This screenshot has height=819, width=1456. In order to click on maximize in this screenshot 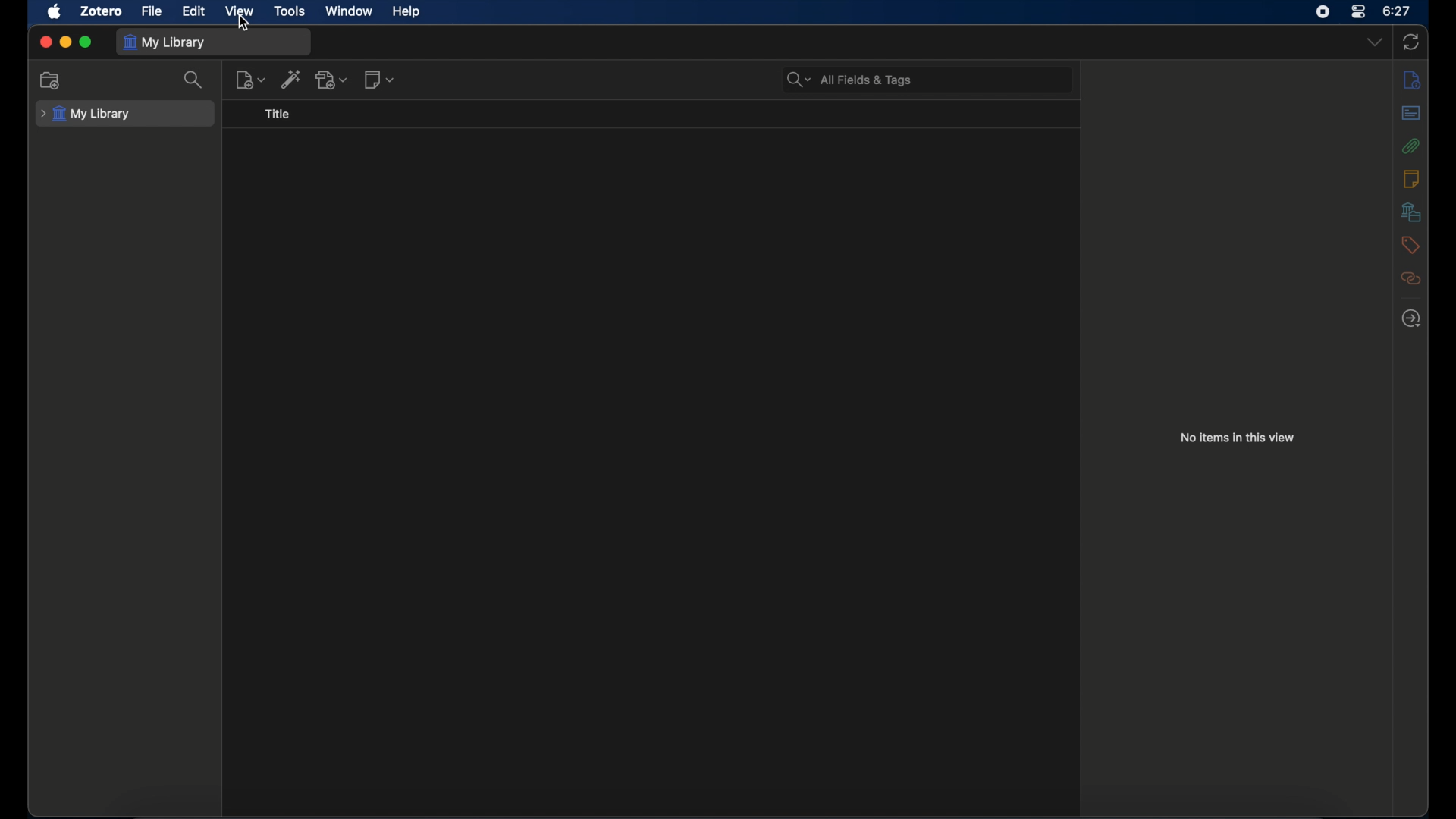, I will do `click(86, 42)`.